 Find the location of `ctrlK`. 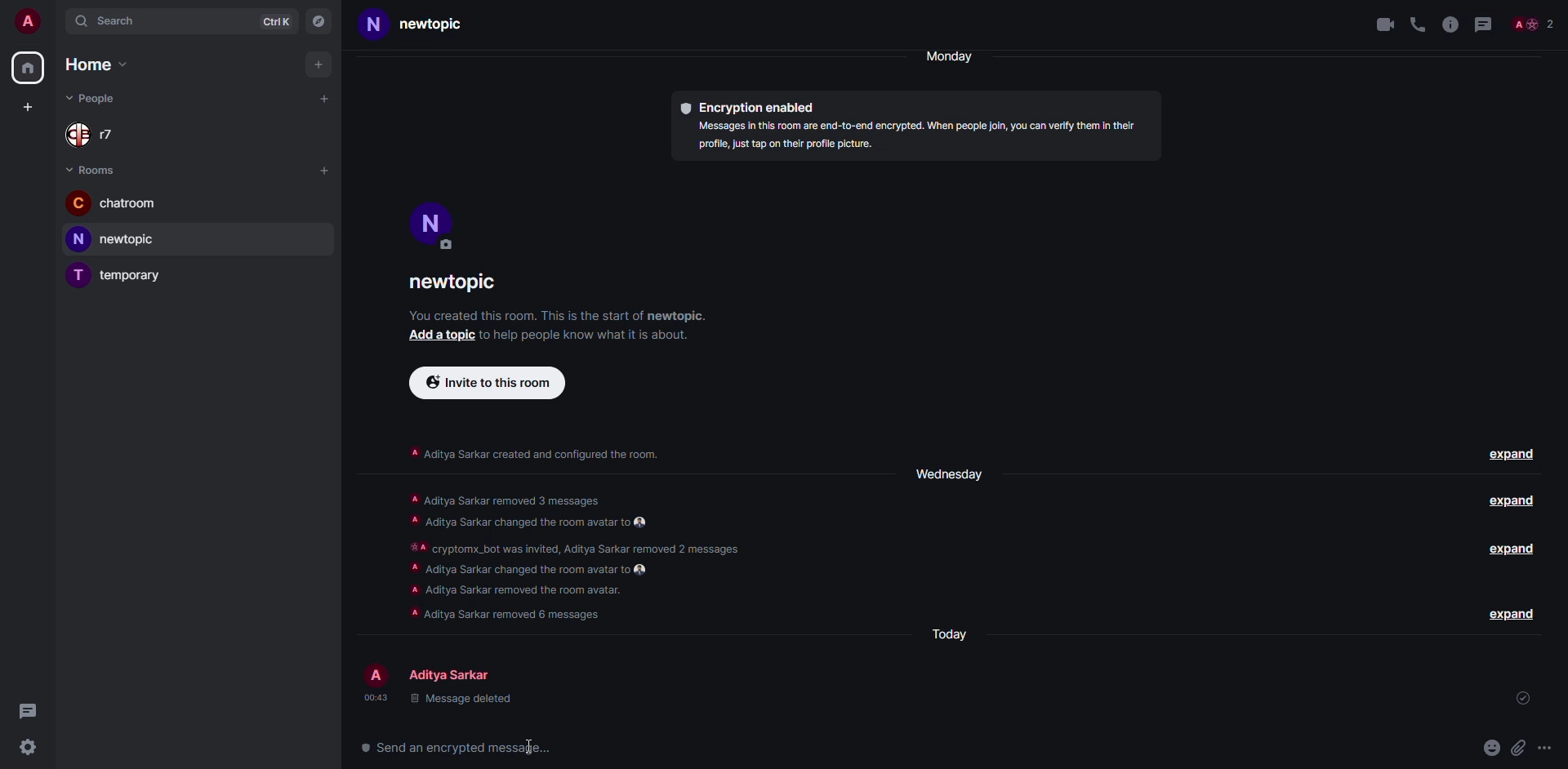

ctrlK is located at coordinates (275, 21).